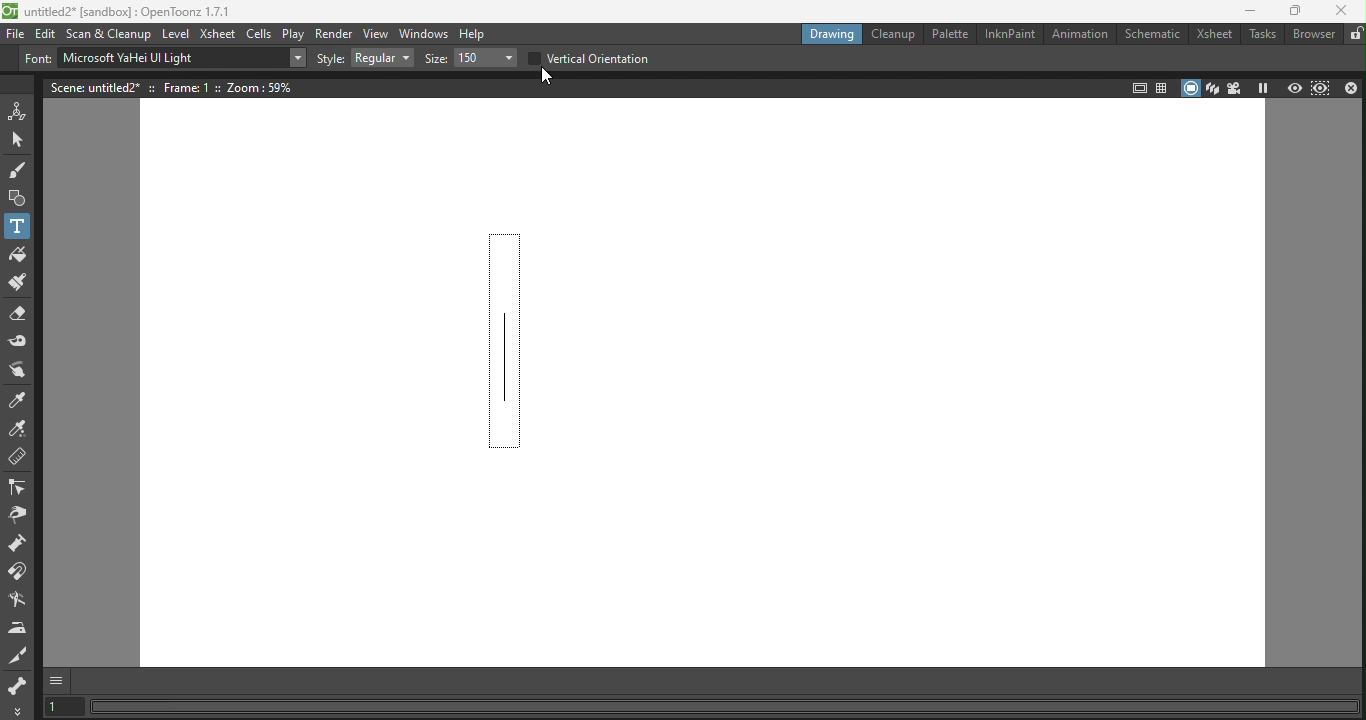  I want to click on Minimize, so click(1248, 11).